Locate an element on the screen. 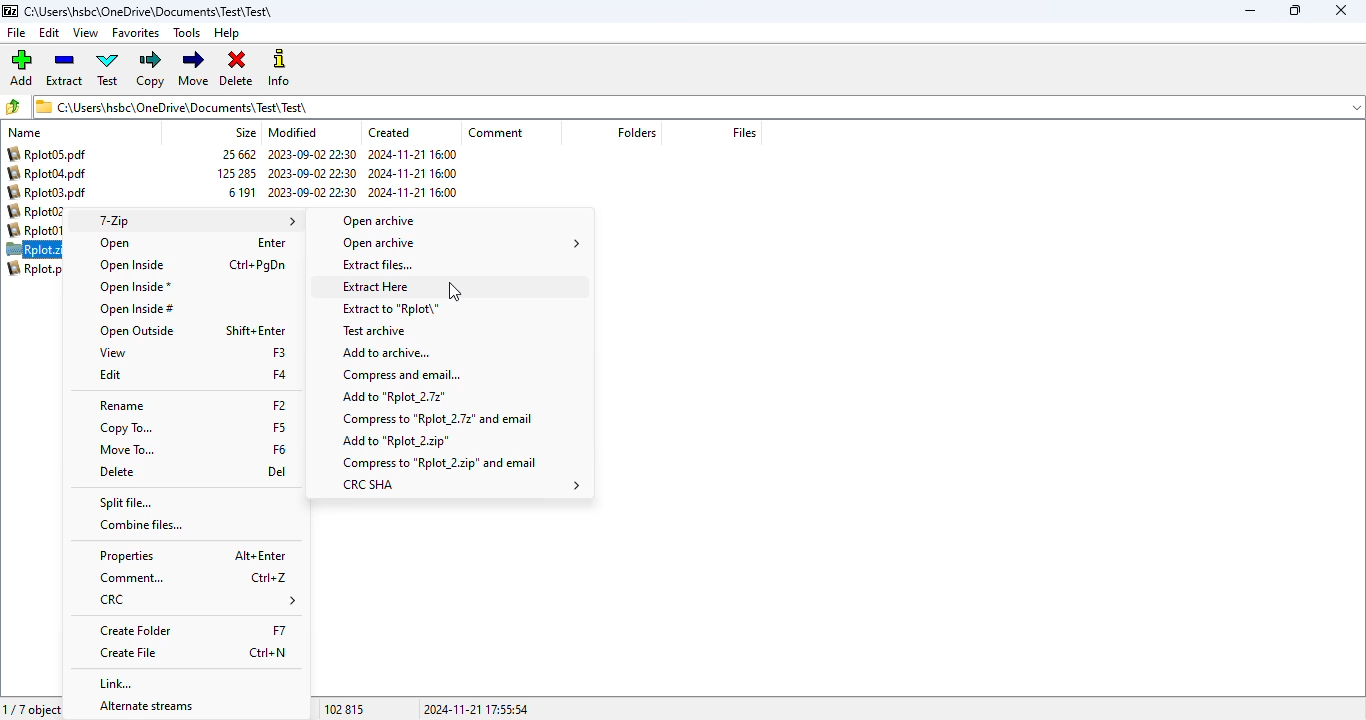 The height and width of the screenshot is (720, 1366). 2023-09-02 22:30 is located at coordinates (312, 173).